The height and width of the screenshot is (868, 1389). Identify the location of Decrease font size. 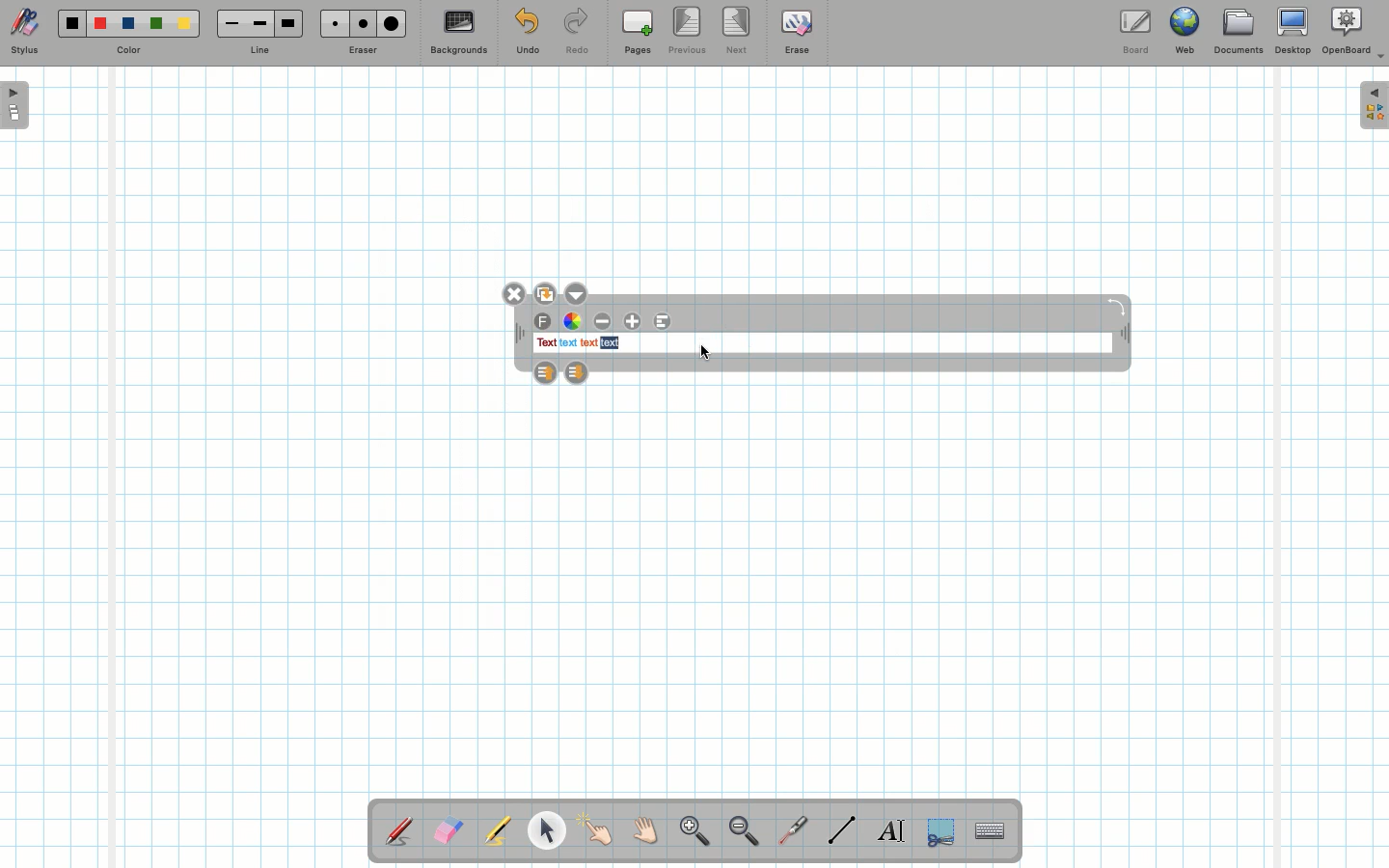
(604, 321).